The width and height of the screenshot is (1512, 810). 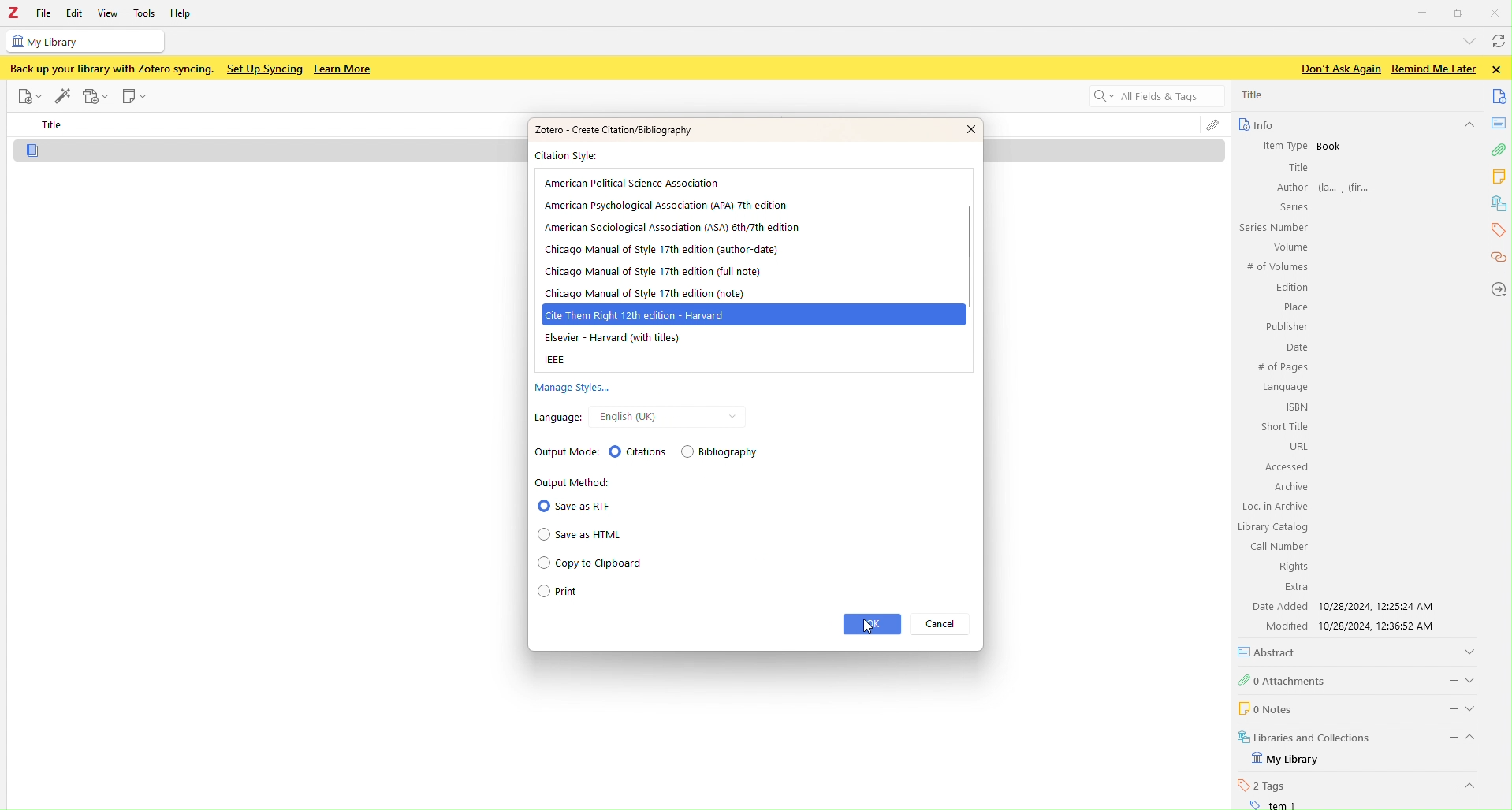 What do you see at coordinates (1272, 652) in the screenshot?
I see `Abstract` at bounding box center [1272, 652].